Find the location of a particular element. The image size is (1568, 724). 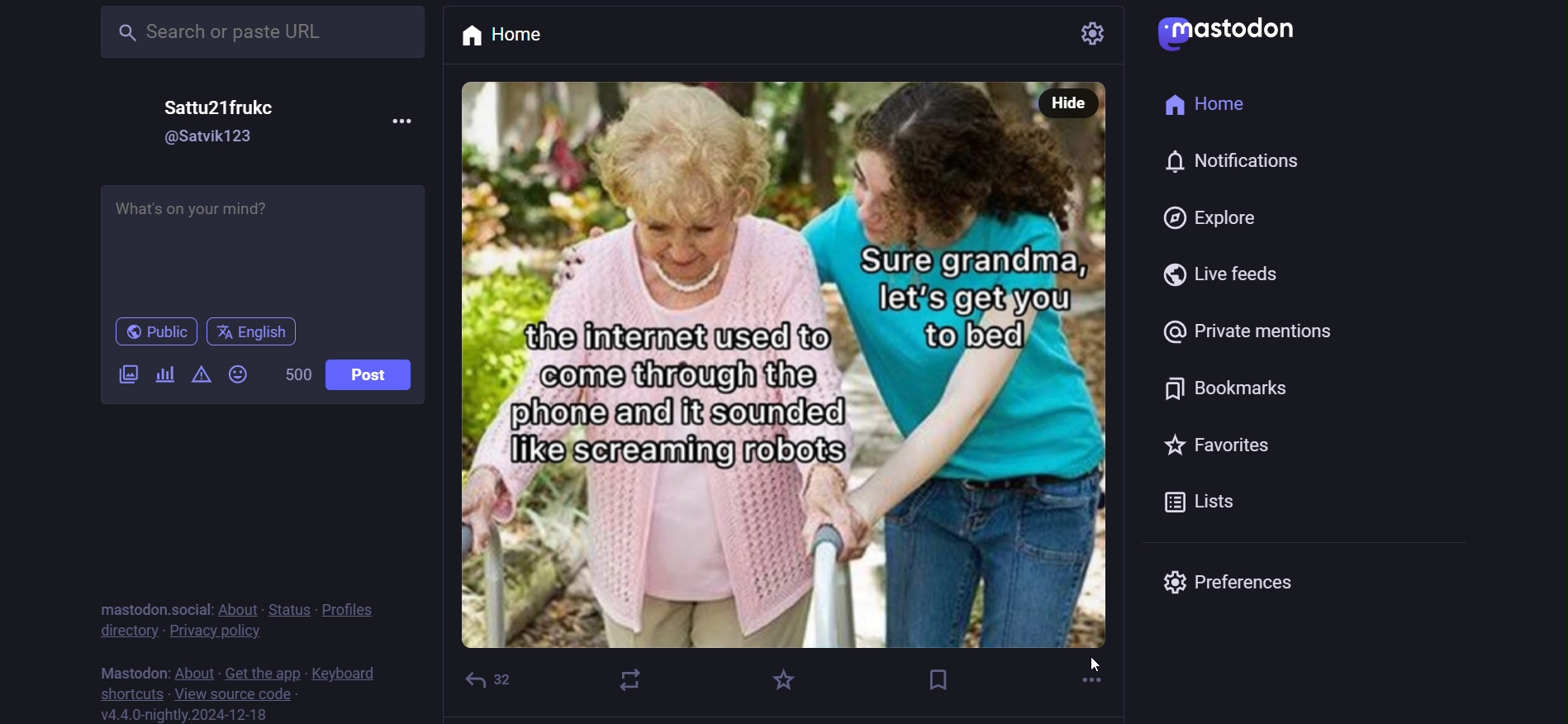

word limit is located at coordinates (298, 373).